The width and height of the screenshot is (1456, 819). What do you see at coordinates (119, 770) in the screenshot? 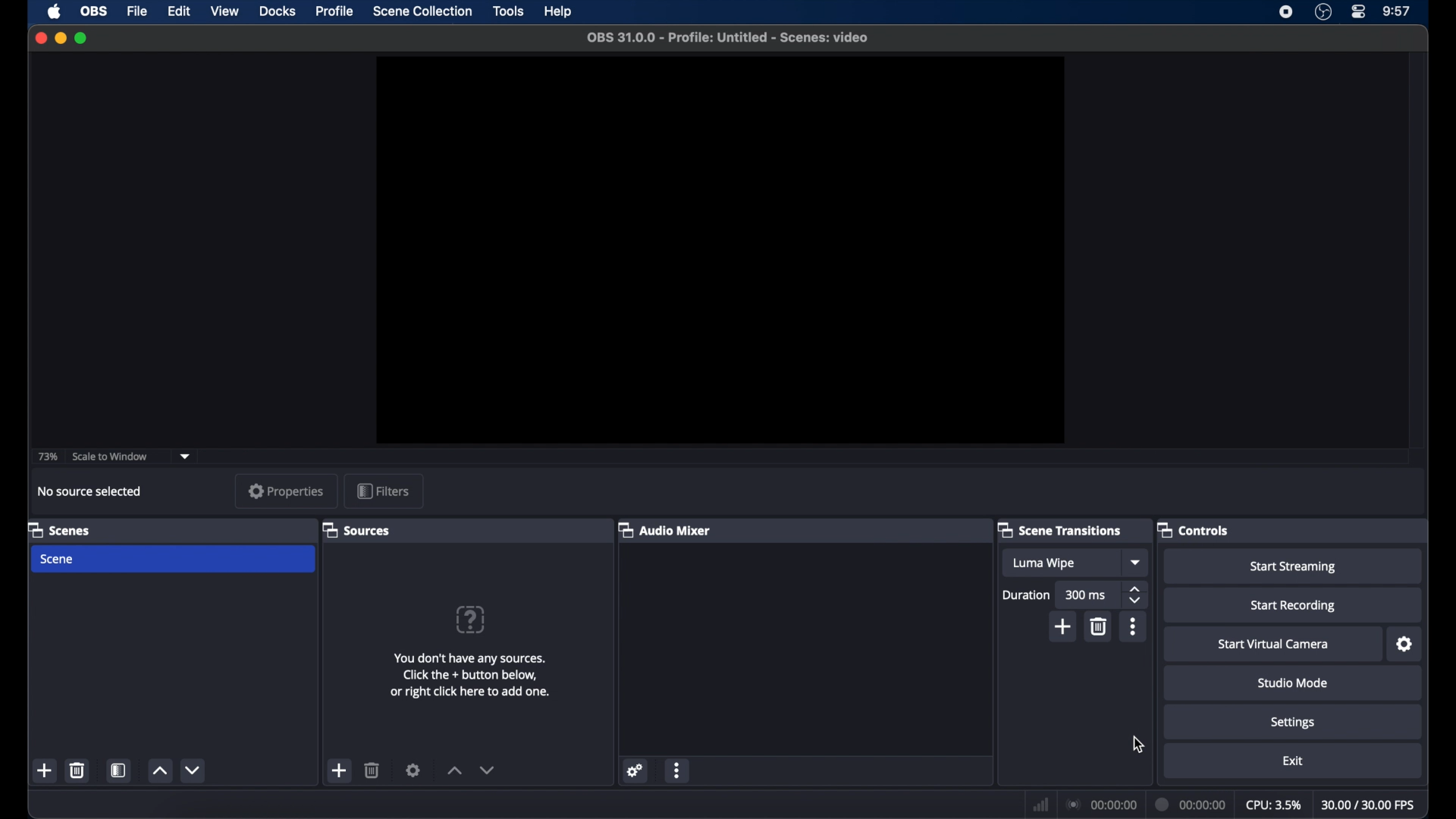
I see `scene filters` at bounding box center [119, 770].